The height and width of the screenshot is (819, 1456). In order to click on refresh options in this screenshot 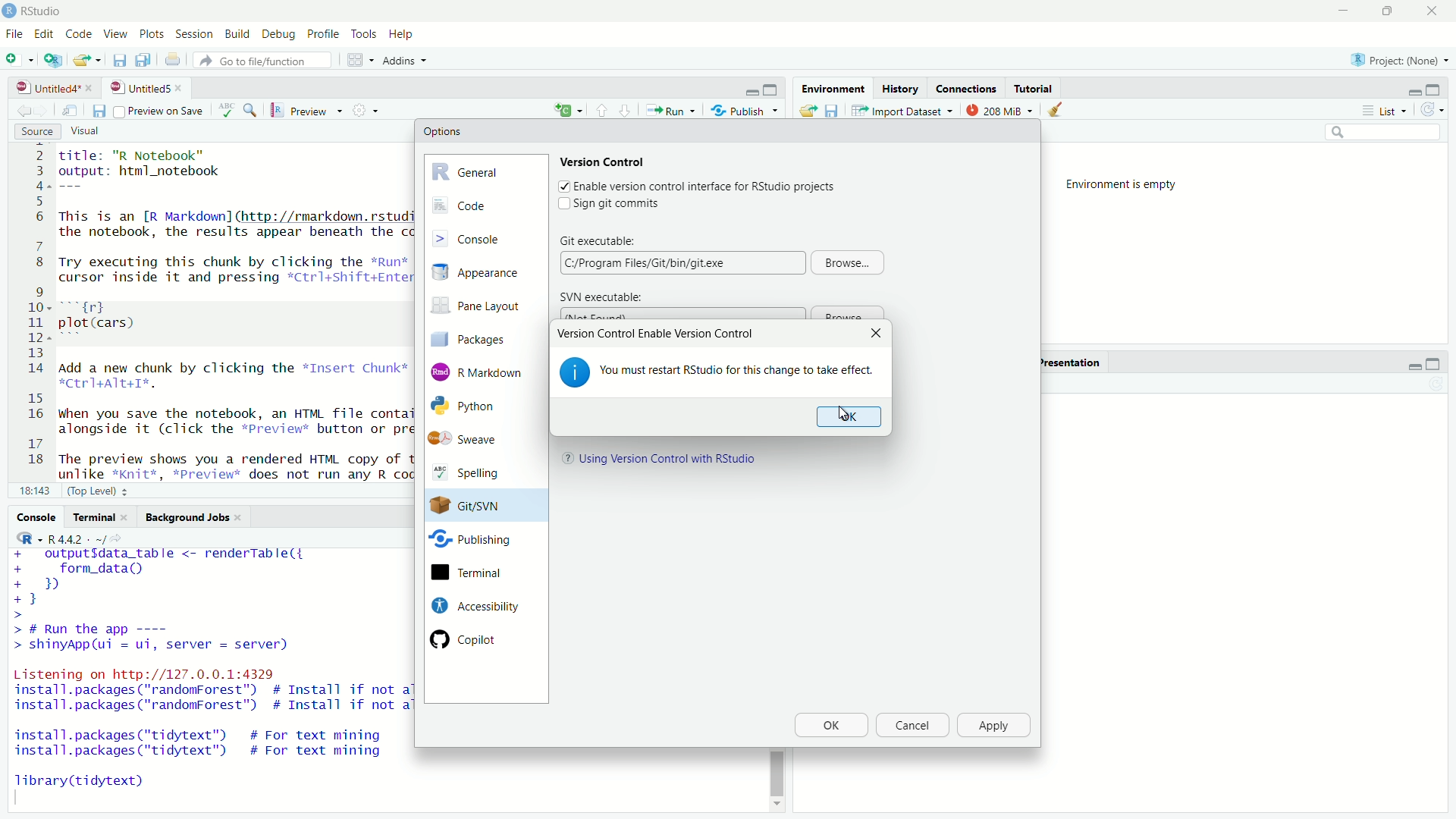, I will do `click(1433, 110)`.